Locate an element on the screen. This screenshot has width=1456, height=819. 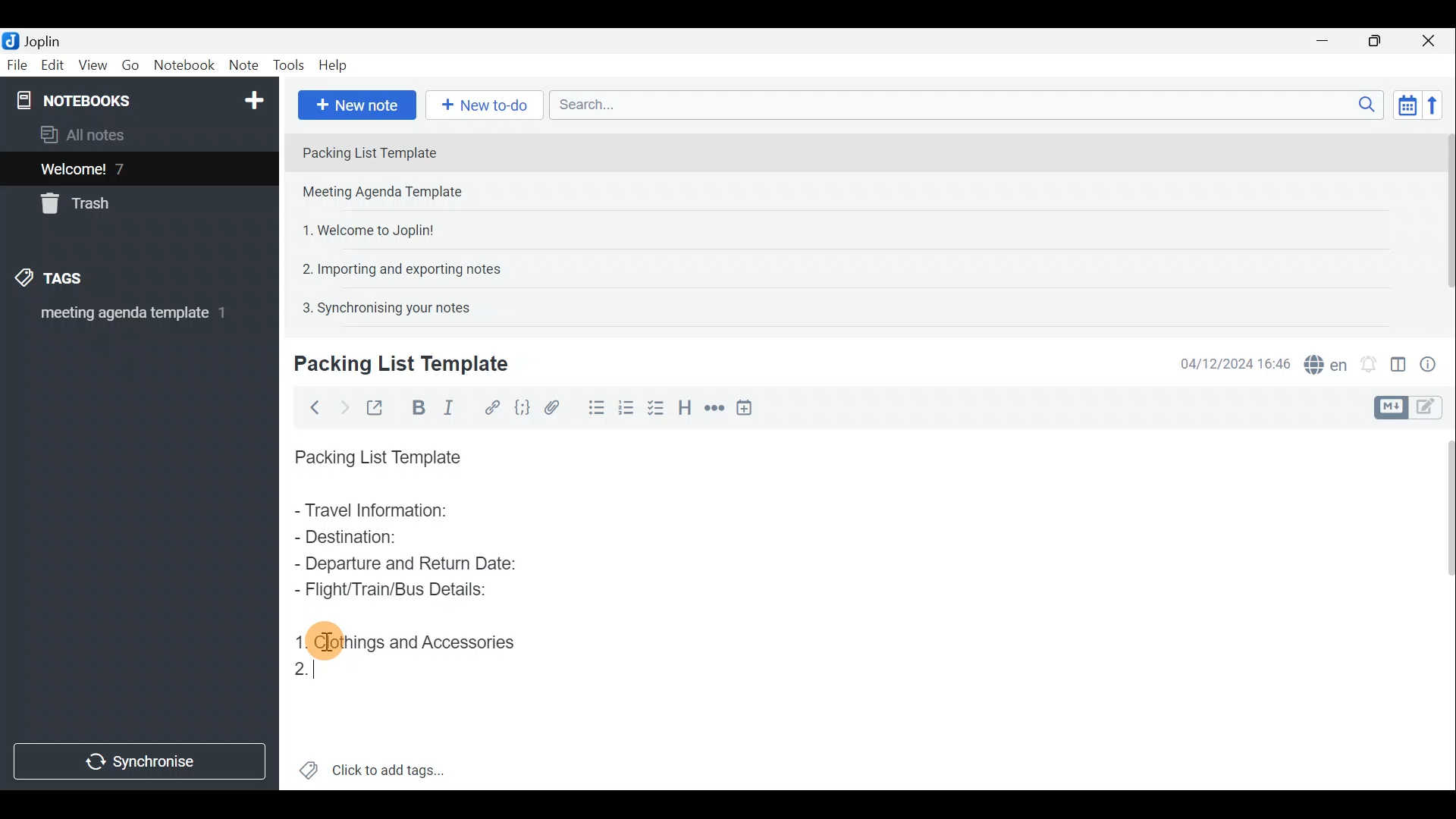
Reverse sort order is located at coordinates (1438, 104).